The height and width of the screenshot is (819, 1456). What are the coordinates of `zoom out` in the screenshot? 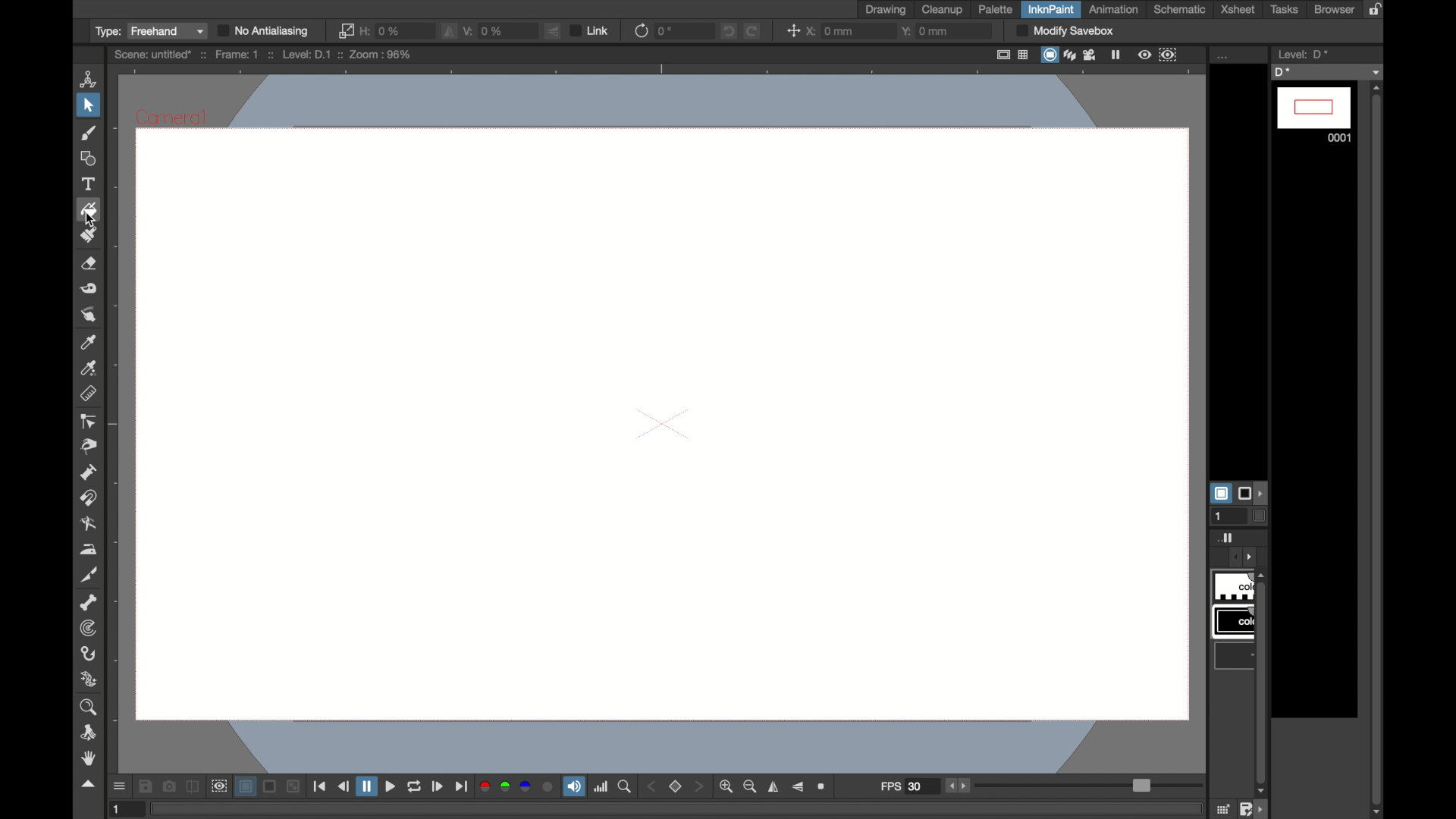 It's located at (749, 786).